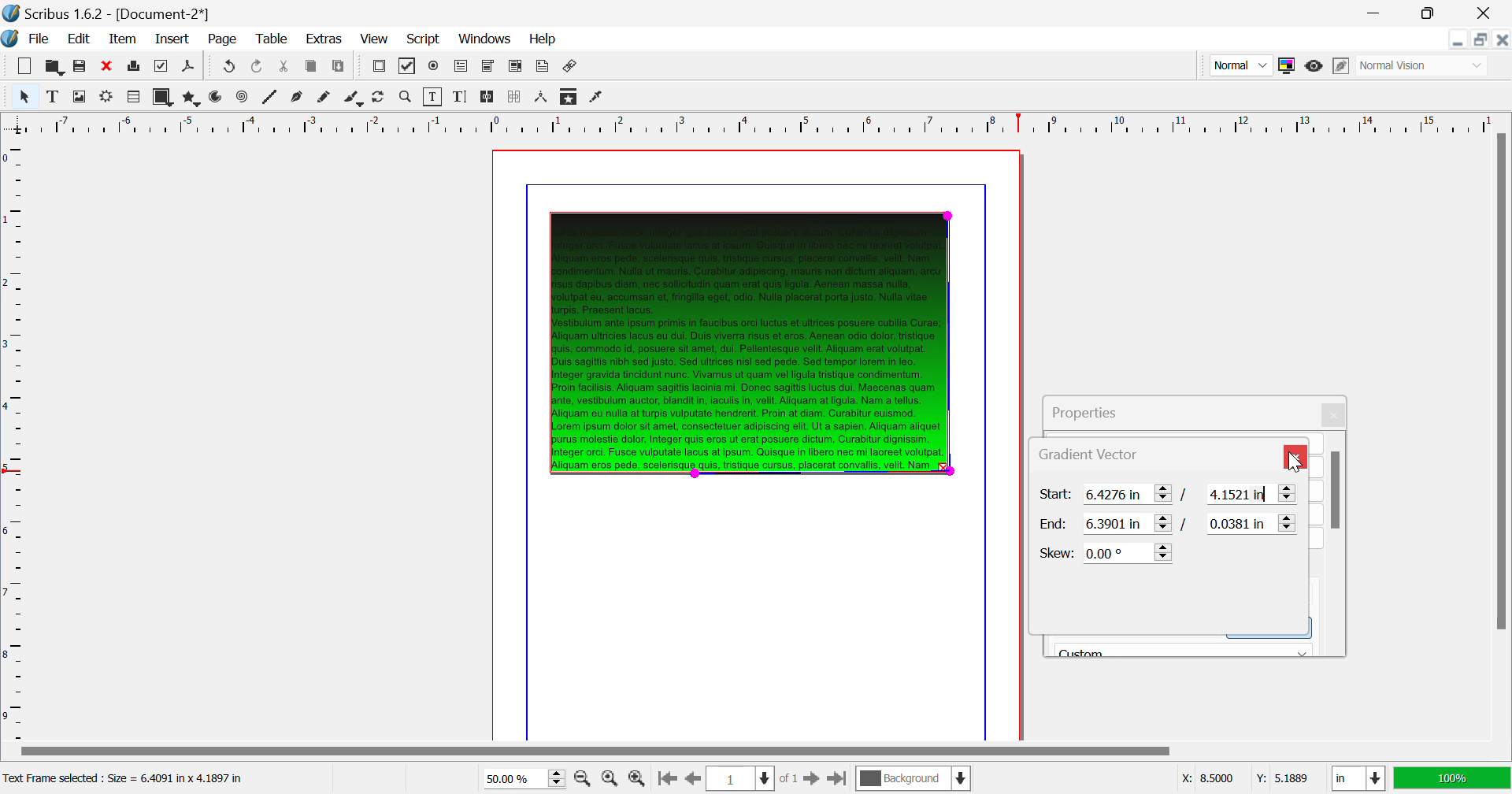 The width and height of the screenshot is (1512, 794). I want to click on Zoom to 100%, so click(610, 778).